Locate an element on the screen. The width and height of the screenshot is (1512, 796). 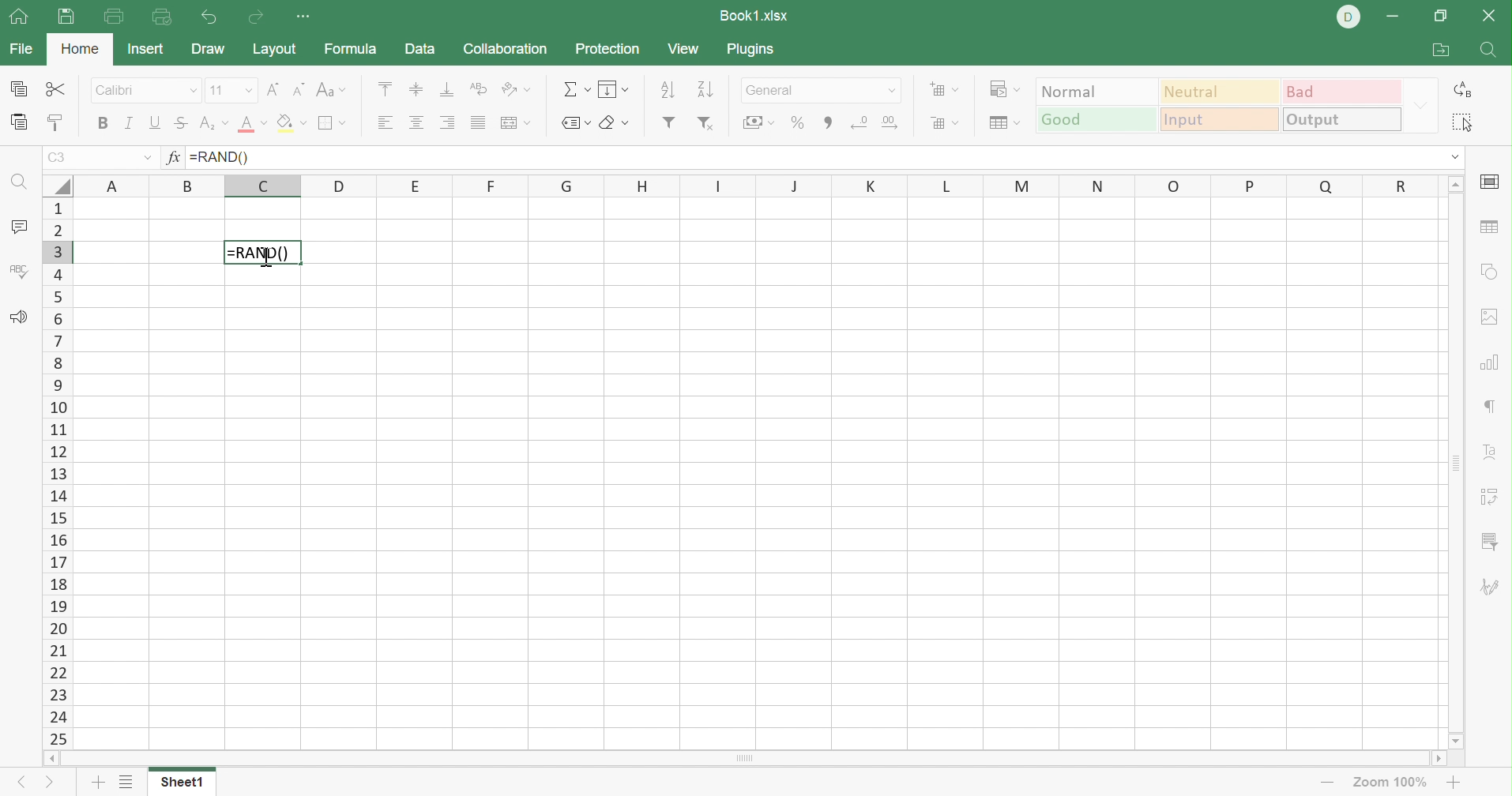
Save is located at coordinates (66, 17).